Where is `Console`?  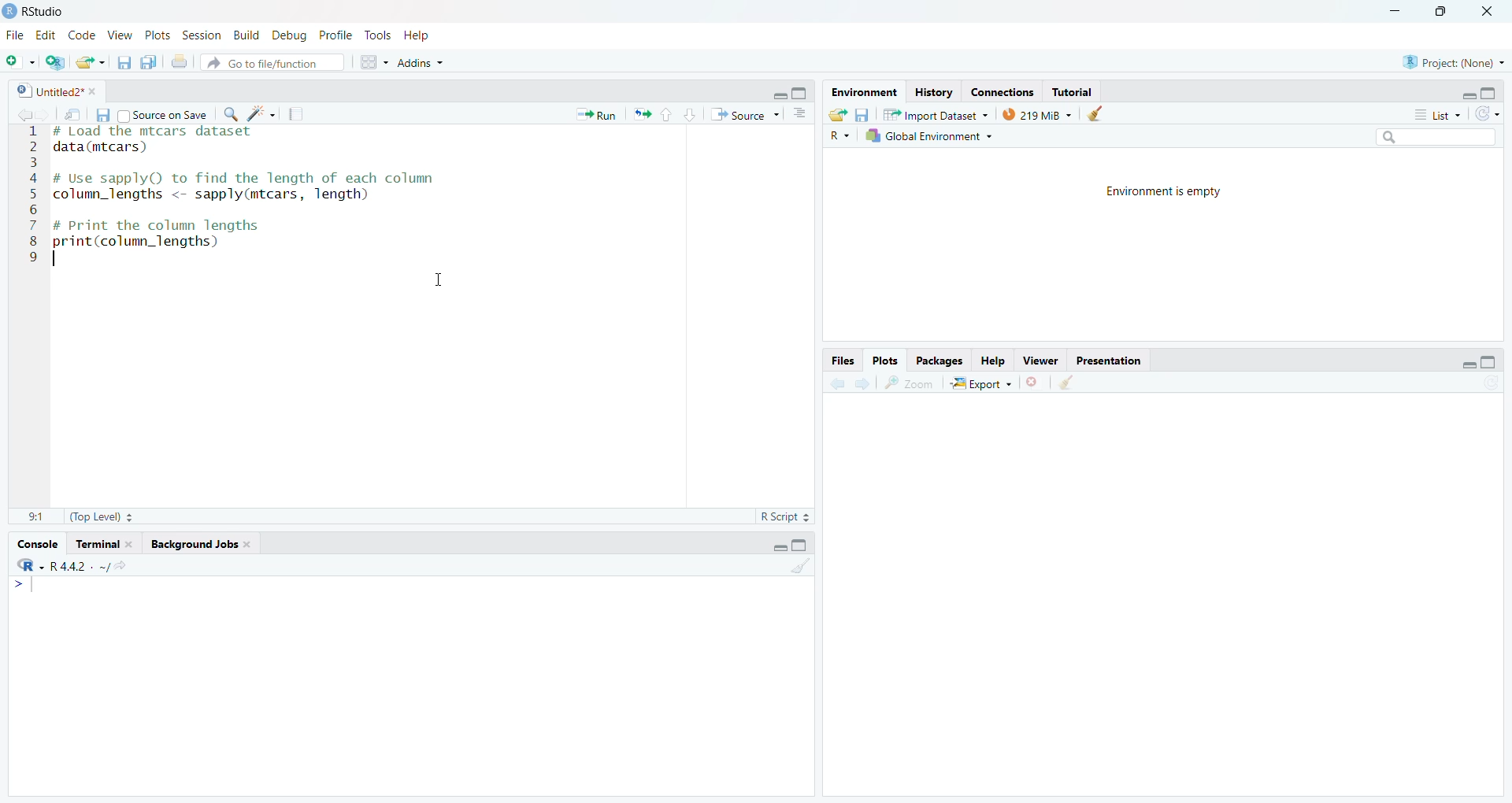
Console is located at coordinates (39, 544).